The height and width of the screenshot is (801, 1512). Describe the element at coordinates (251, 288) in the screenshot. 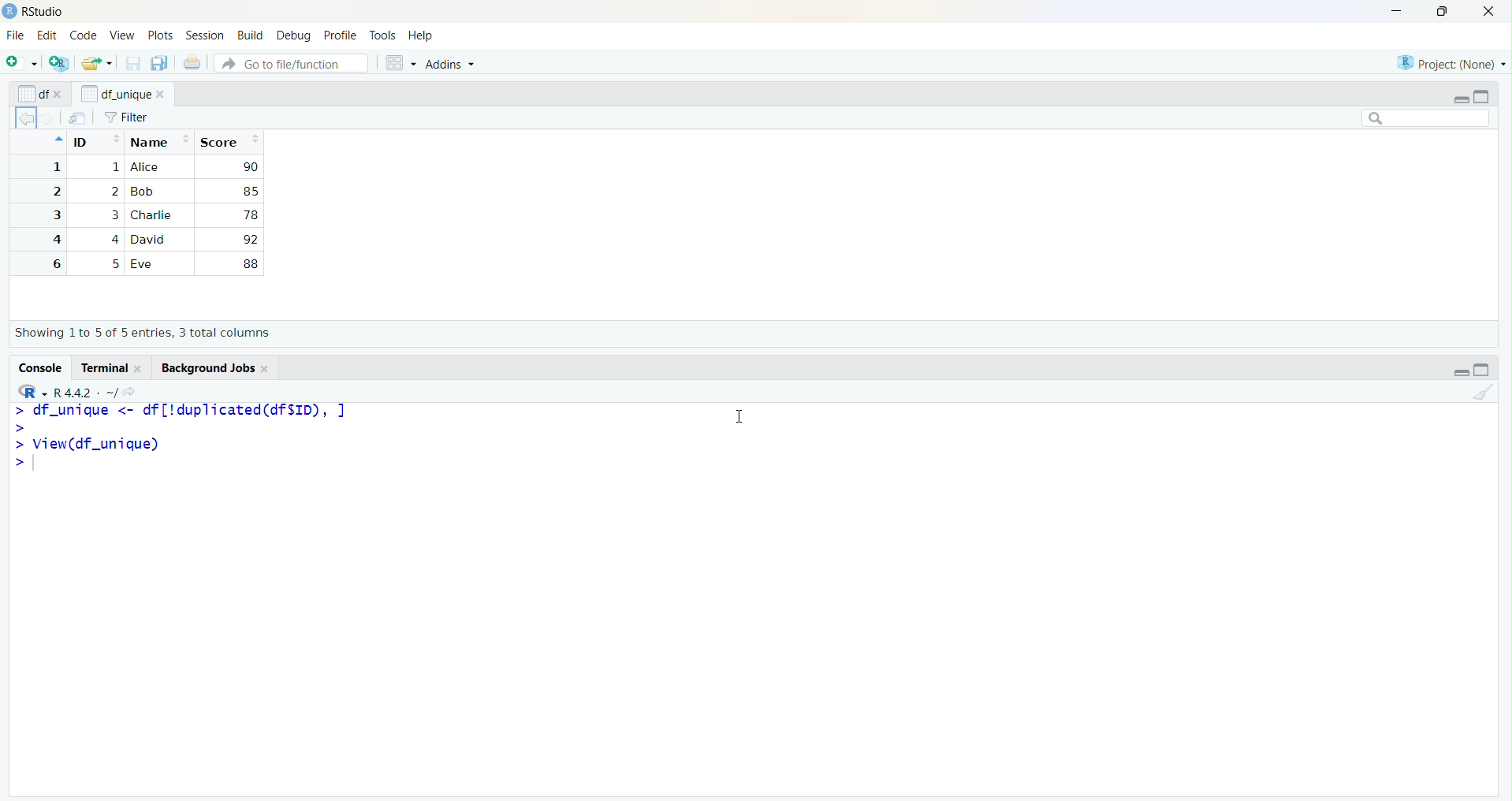

I see `88` at that location.